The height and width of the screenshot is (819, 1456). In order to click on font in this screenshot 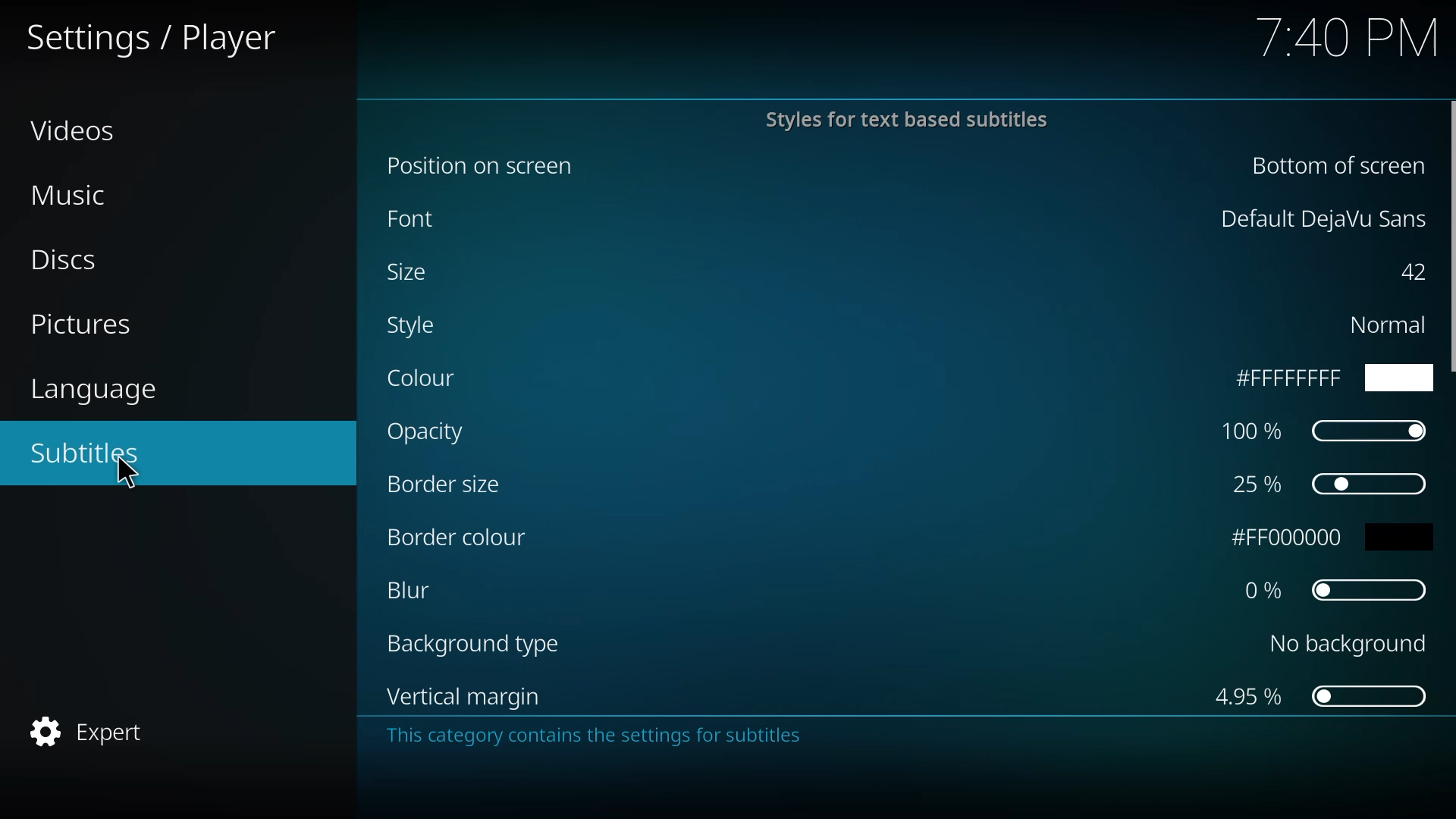, I will do `click(417, 218)`.